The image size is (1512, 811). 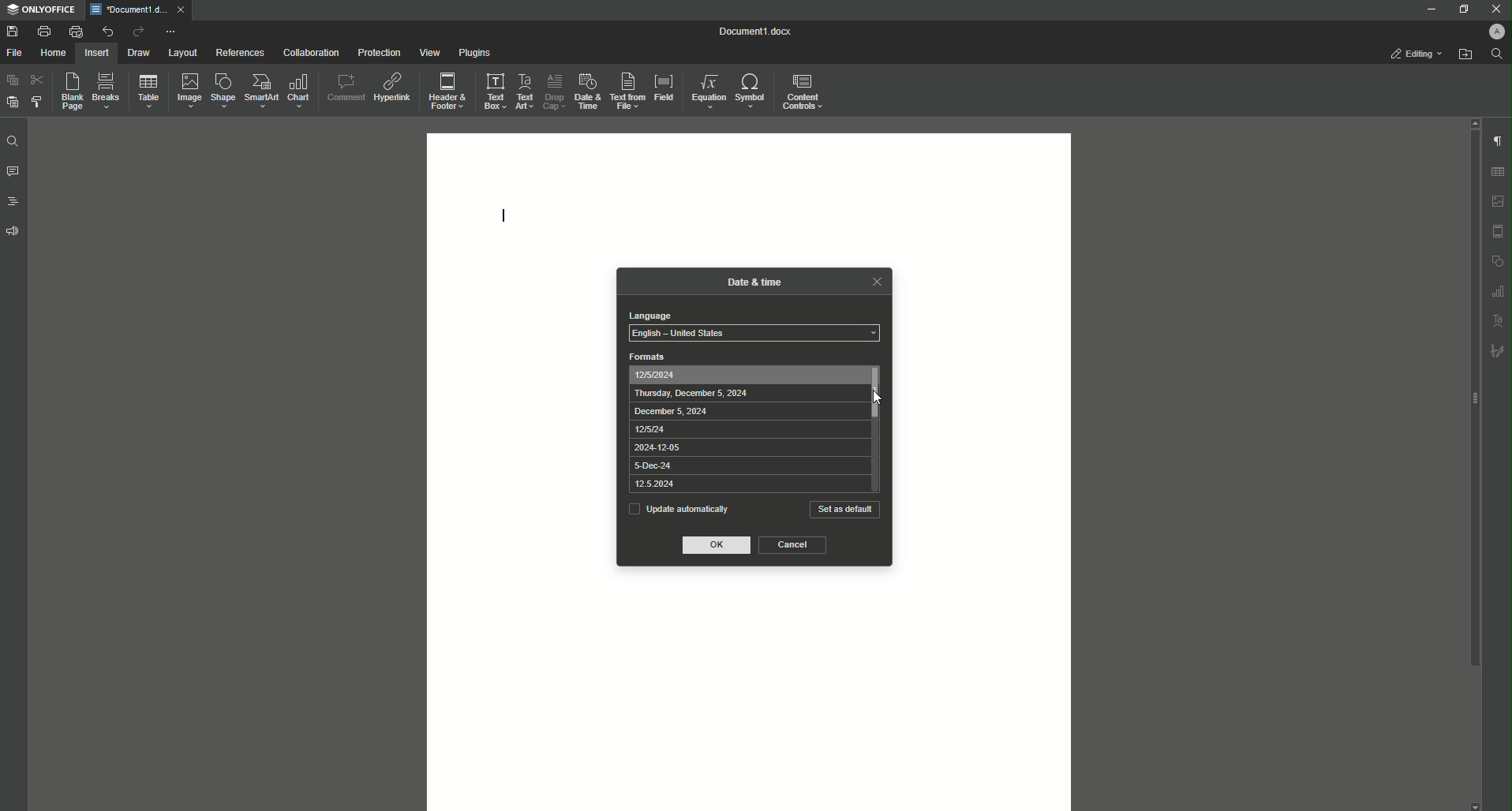 What do you see at coordinates (472, 52) in the screenshot?
I see `Plugins` at bounding box center [472, 52].